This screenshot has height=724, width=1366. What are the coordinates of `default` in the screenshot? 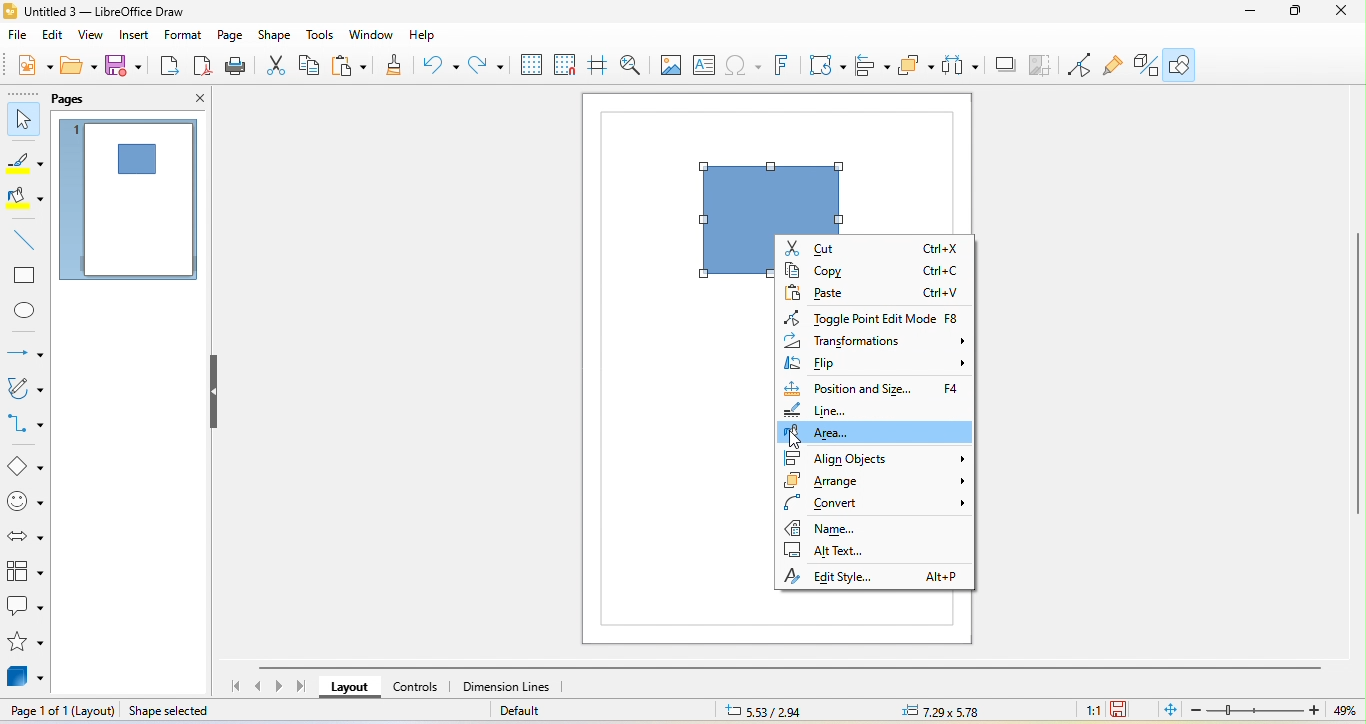 It's located at (549, 711).